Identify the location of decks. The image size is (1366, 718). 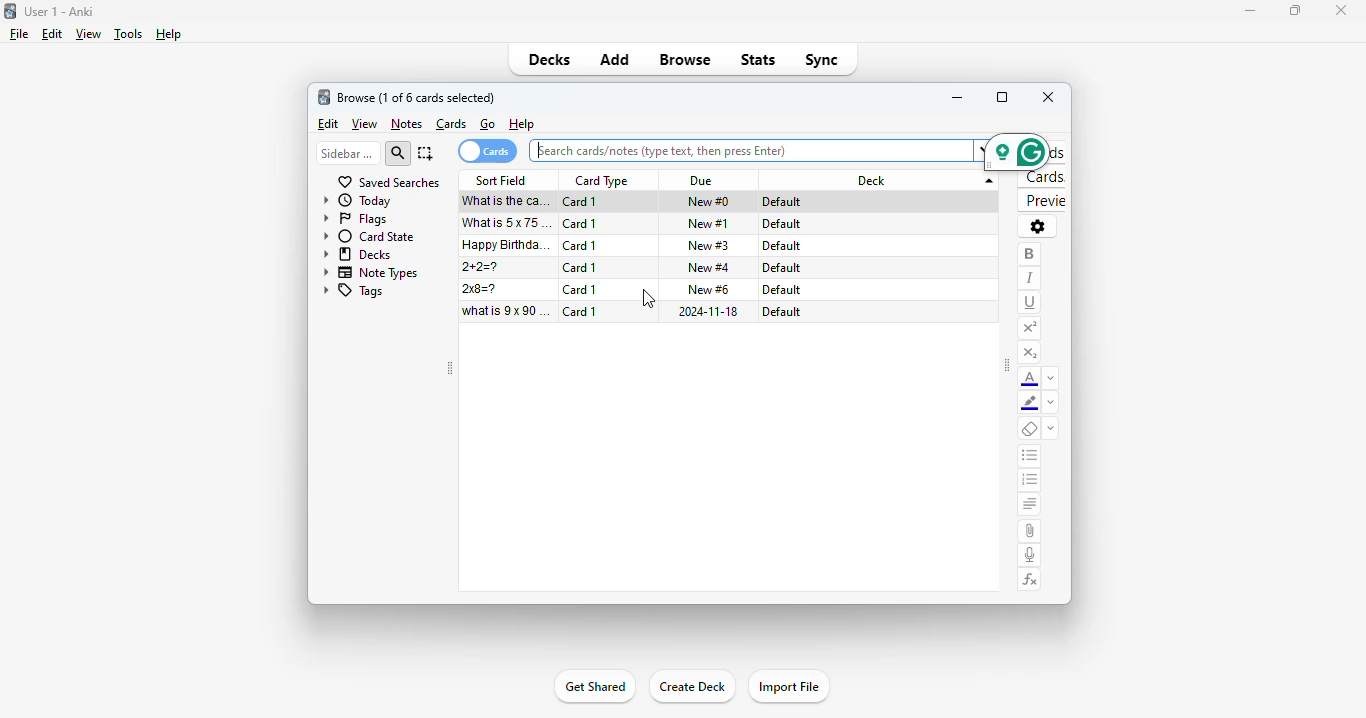
(550, 59).